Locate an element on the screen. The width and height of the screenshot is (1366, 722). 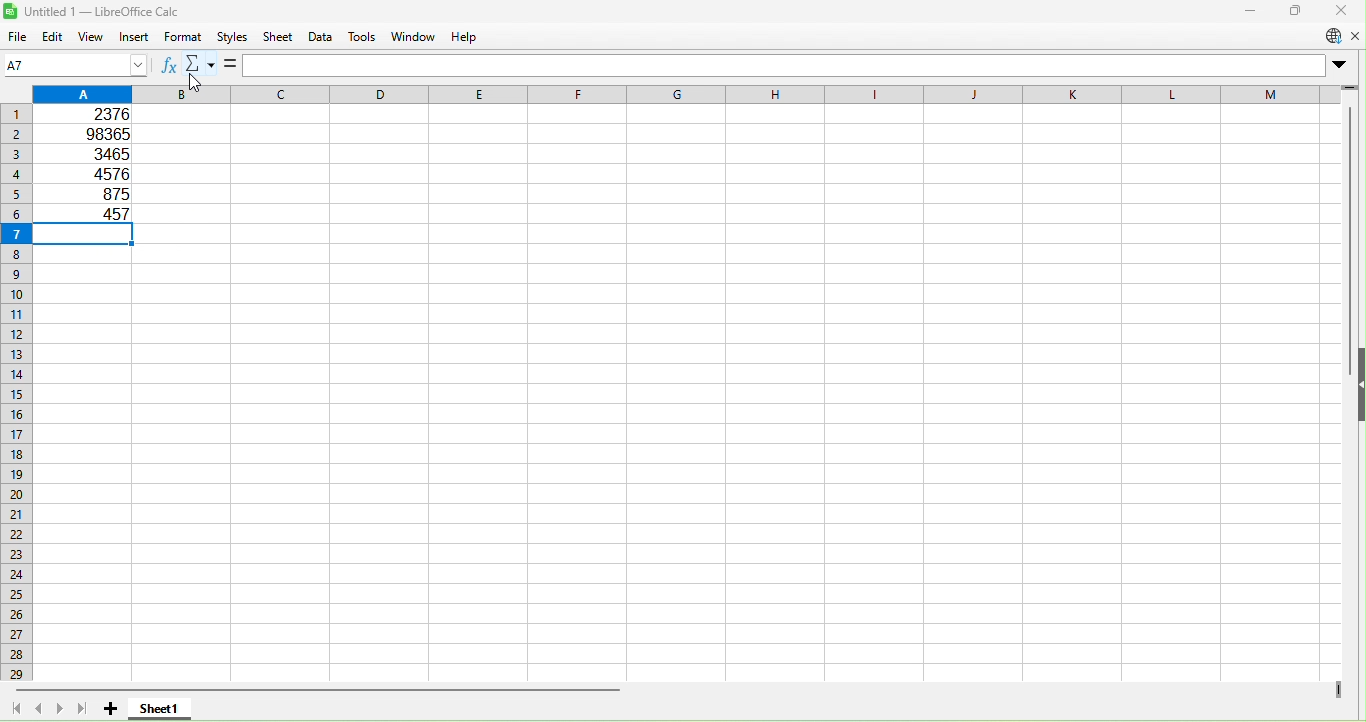
Close is located at coordinates (1341, 10).